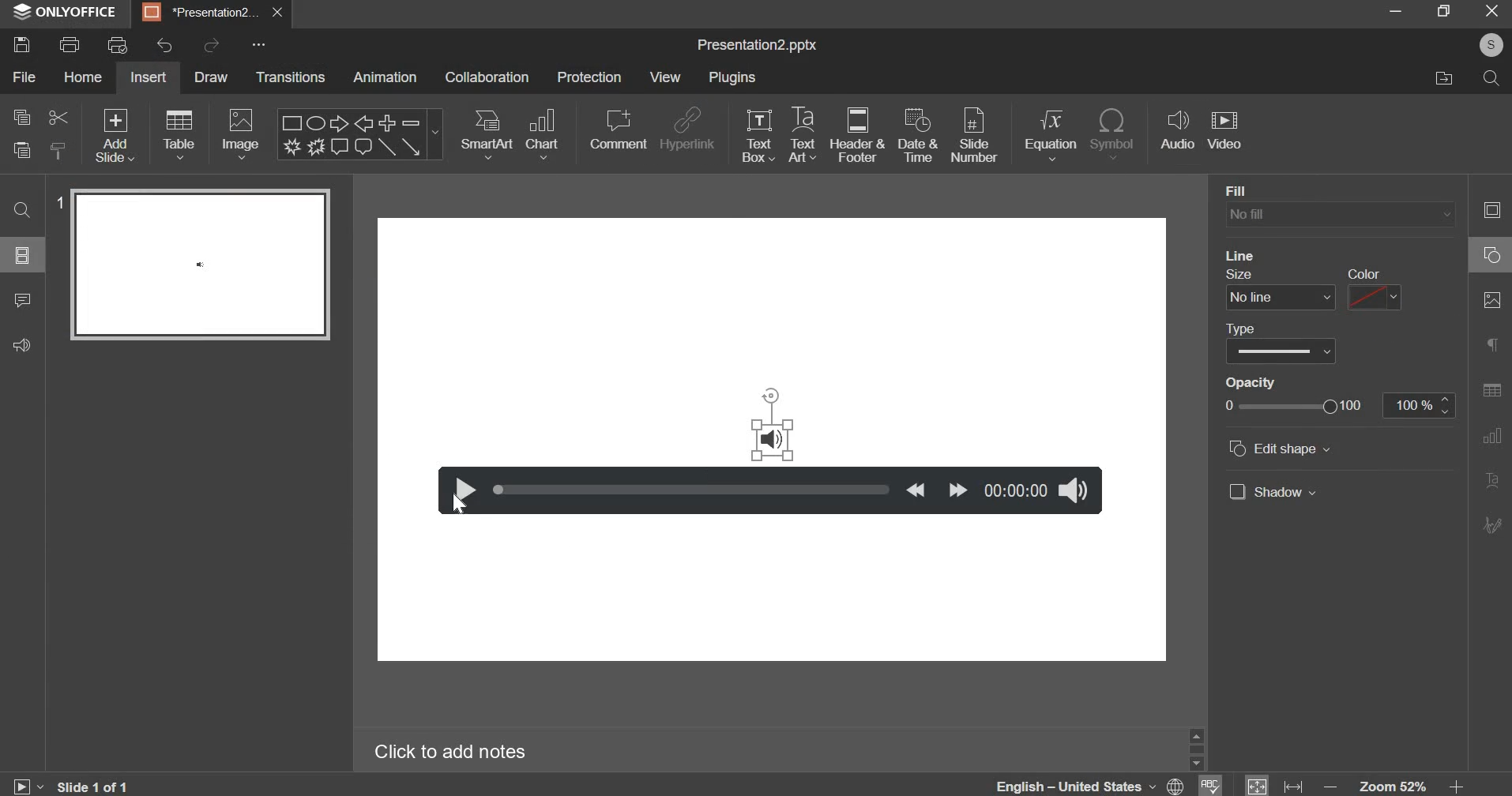  Describe the element at coordinates (690, 127) in the screenshot. I see `hyperlink` at that location.